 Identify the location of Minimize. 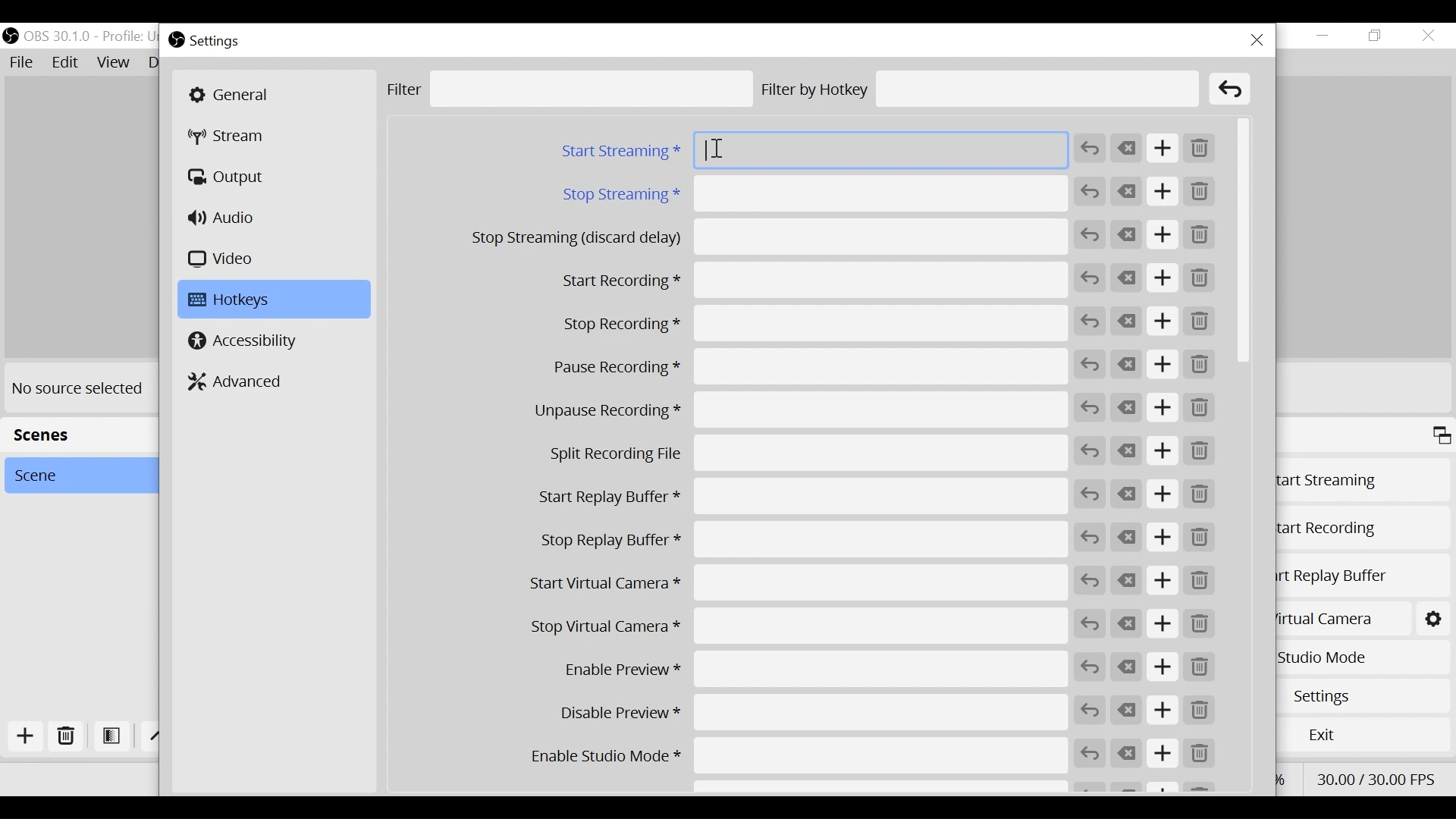
(1323, 36).